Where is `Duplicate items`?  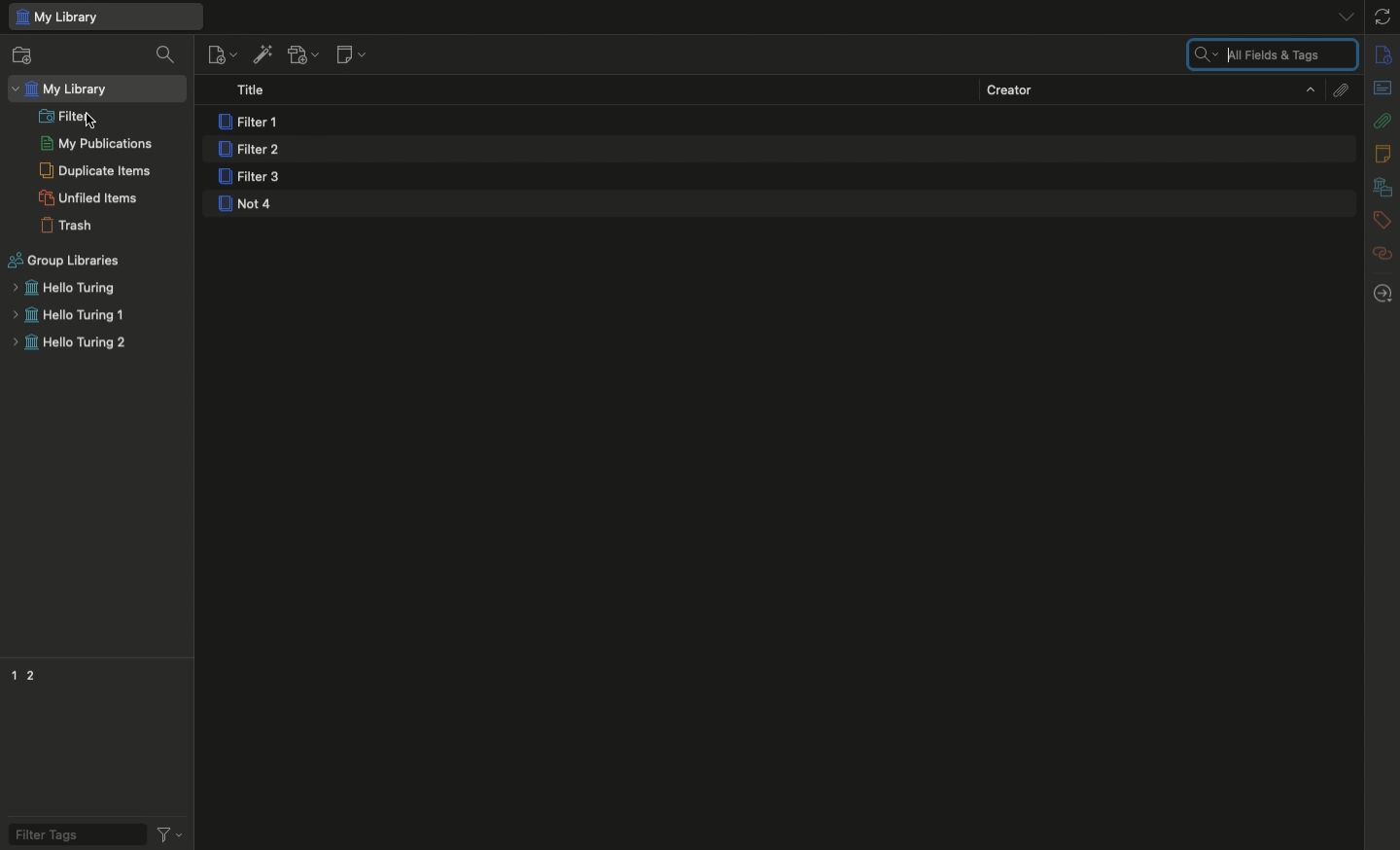 Duplicate items is located at coordinates (95, 170).